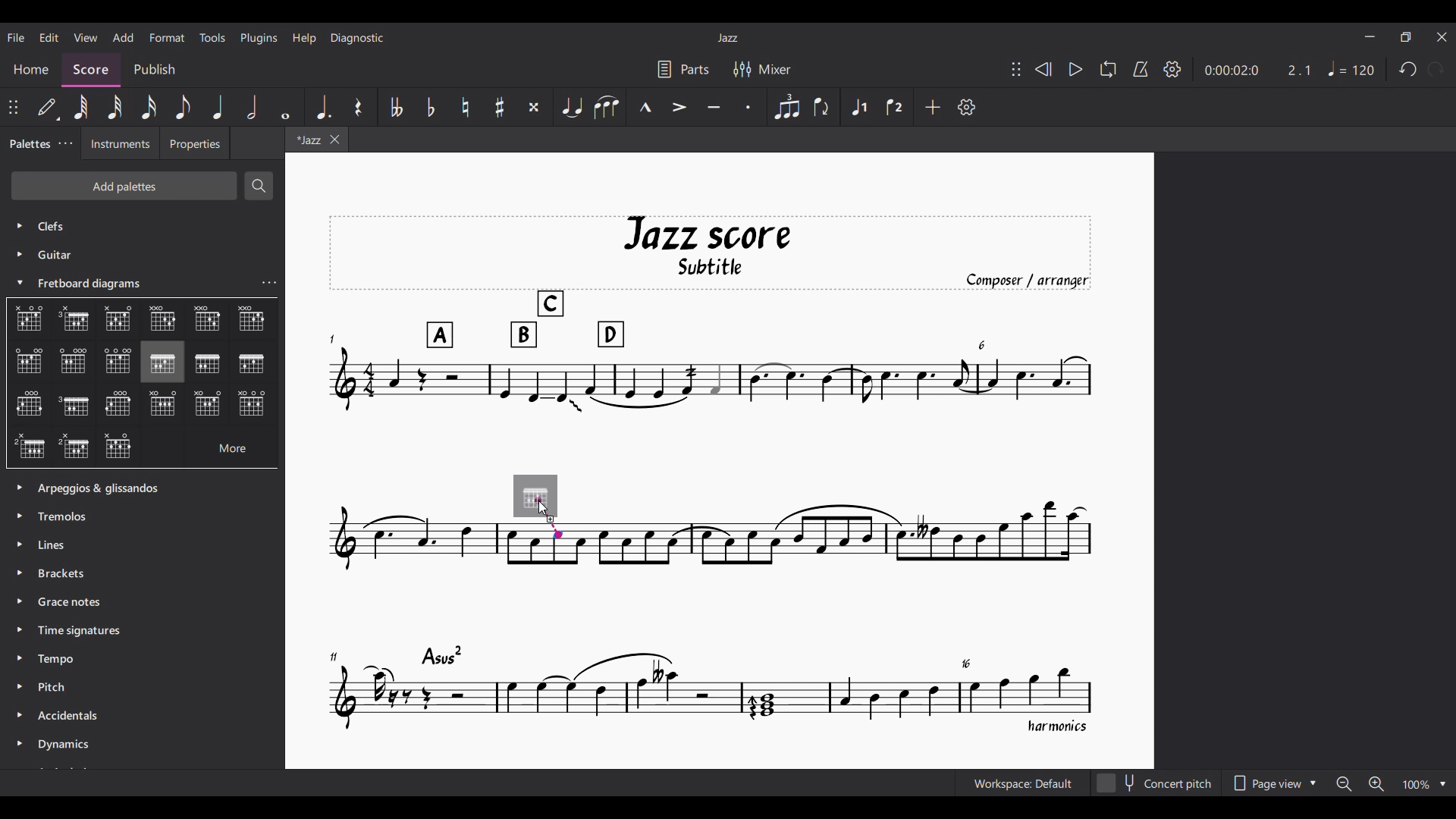 This screenshot has width=1456, height=819. I want to click on Concert pitch toggle, so click(1156, 783).